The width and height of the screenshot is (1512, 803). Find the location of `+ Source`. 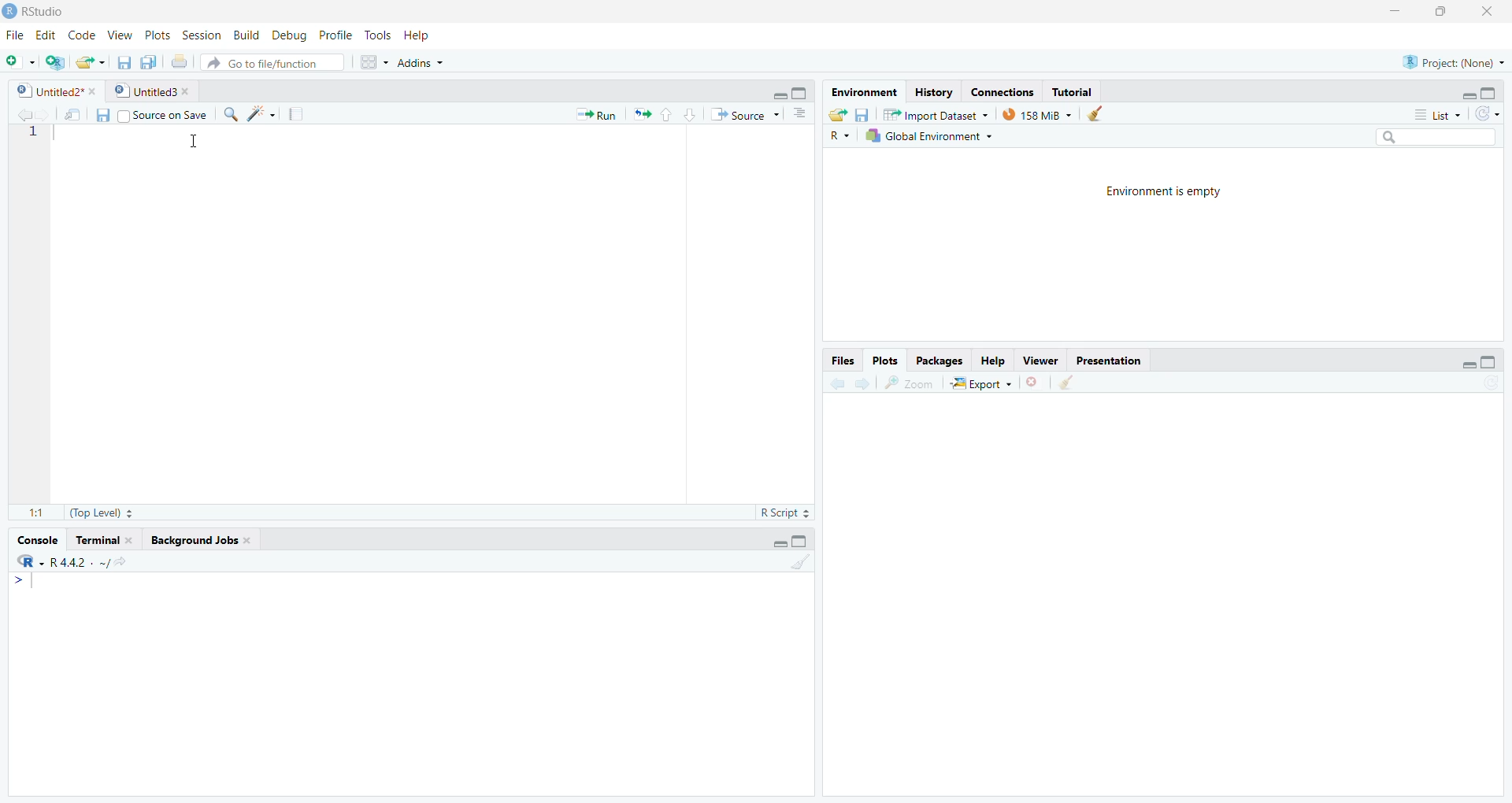

+ Source is located at coordinates (744, 115).